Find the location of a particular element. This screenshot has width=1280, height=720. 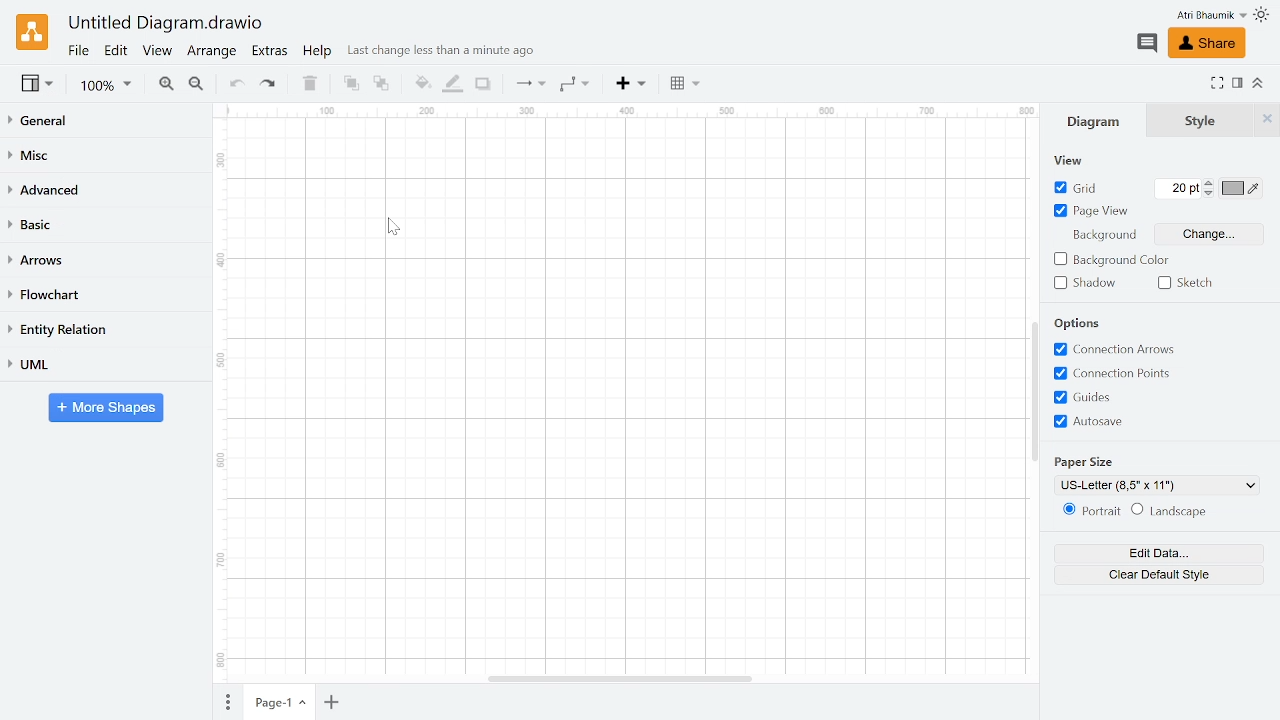

Format is located at coordinates (1238, 83).